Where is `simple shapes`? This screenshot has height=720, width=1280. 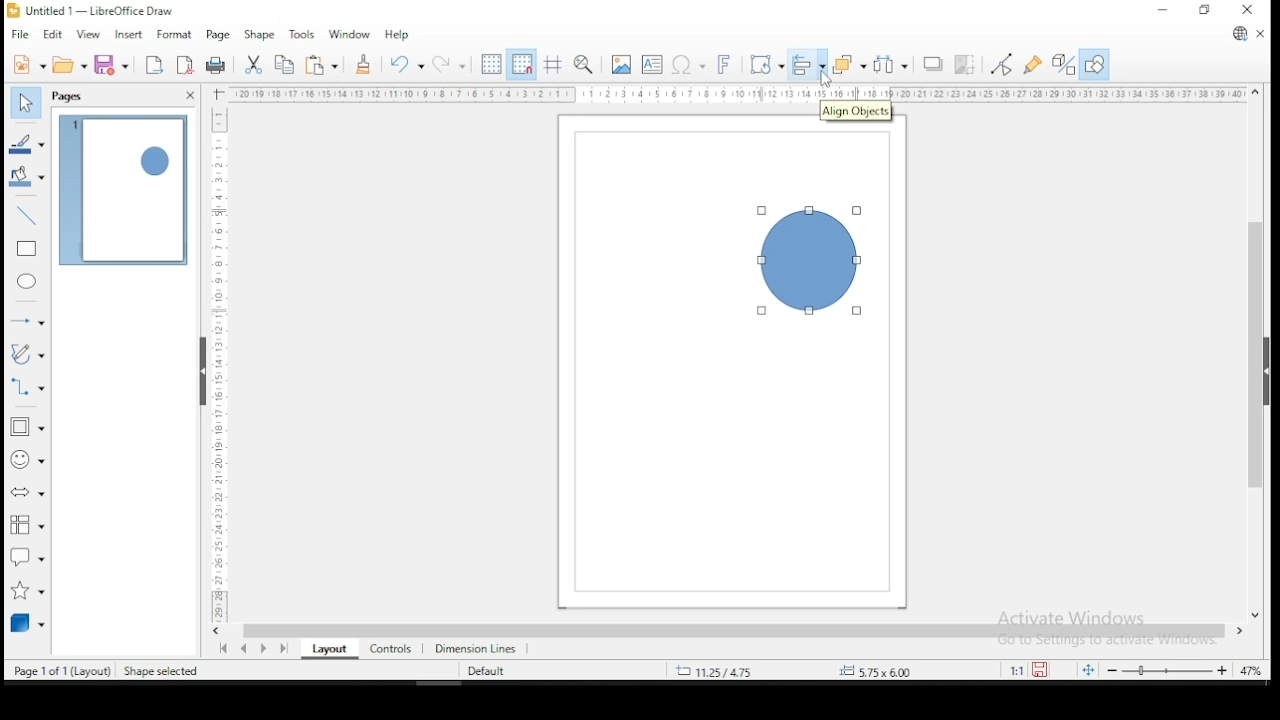
simple shapes is located at coordinates (28, 427).